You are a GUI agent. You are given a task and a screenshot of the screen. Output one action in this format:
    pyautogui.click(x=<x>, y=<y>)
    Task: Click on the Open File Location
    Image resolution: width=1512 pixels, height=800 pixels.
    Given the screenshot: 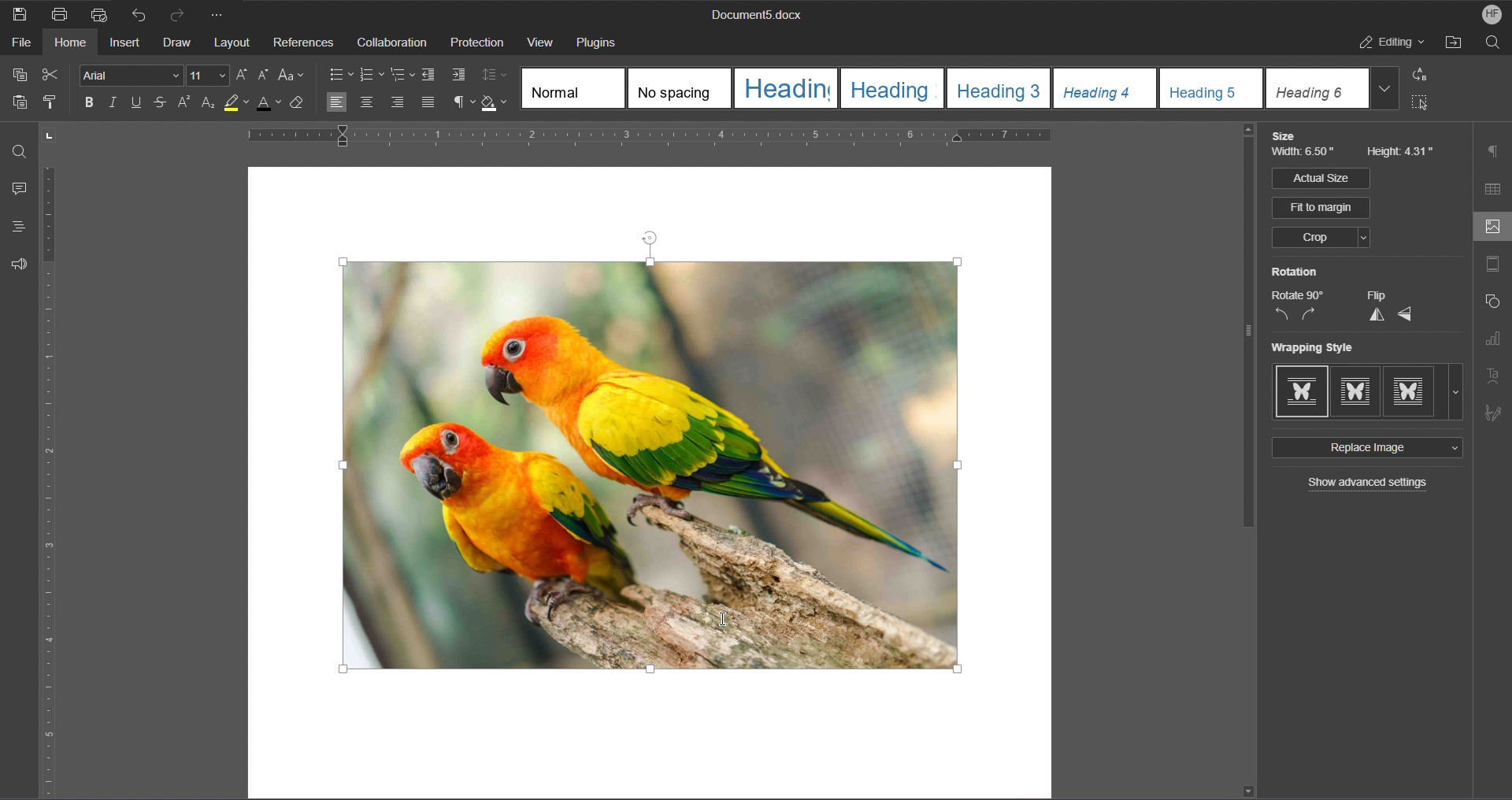 What is the action you would take?
    pyautogui.click(x=1456, y=45)
    